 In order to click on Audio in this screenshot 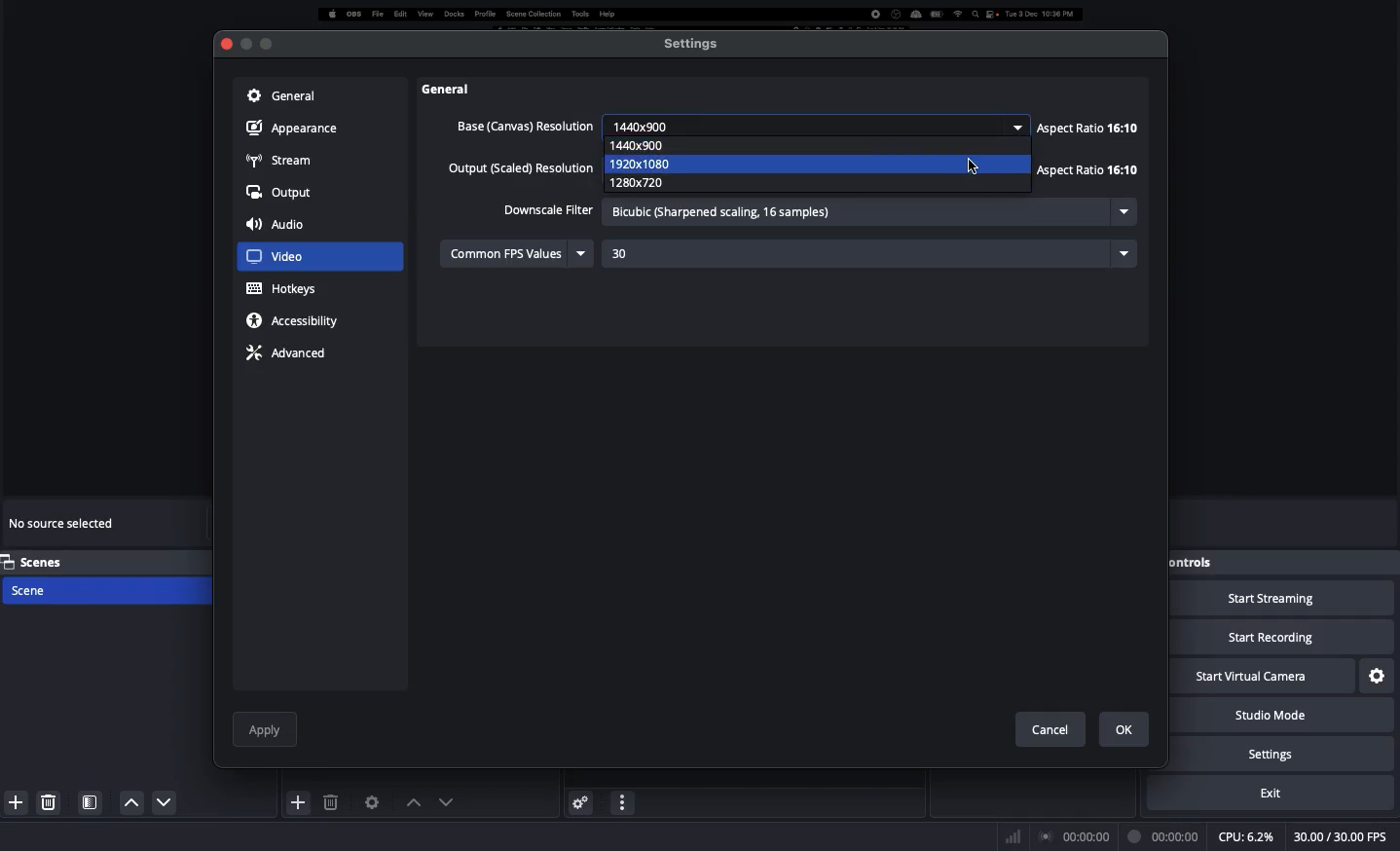, I will do `click(279, 226)`.